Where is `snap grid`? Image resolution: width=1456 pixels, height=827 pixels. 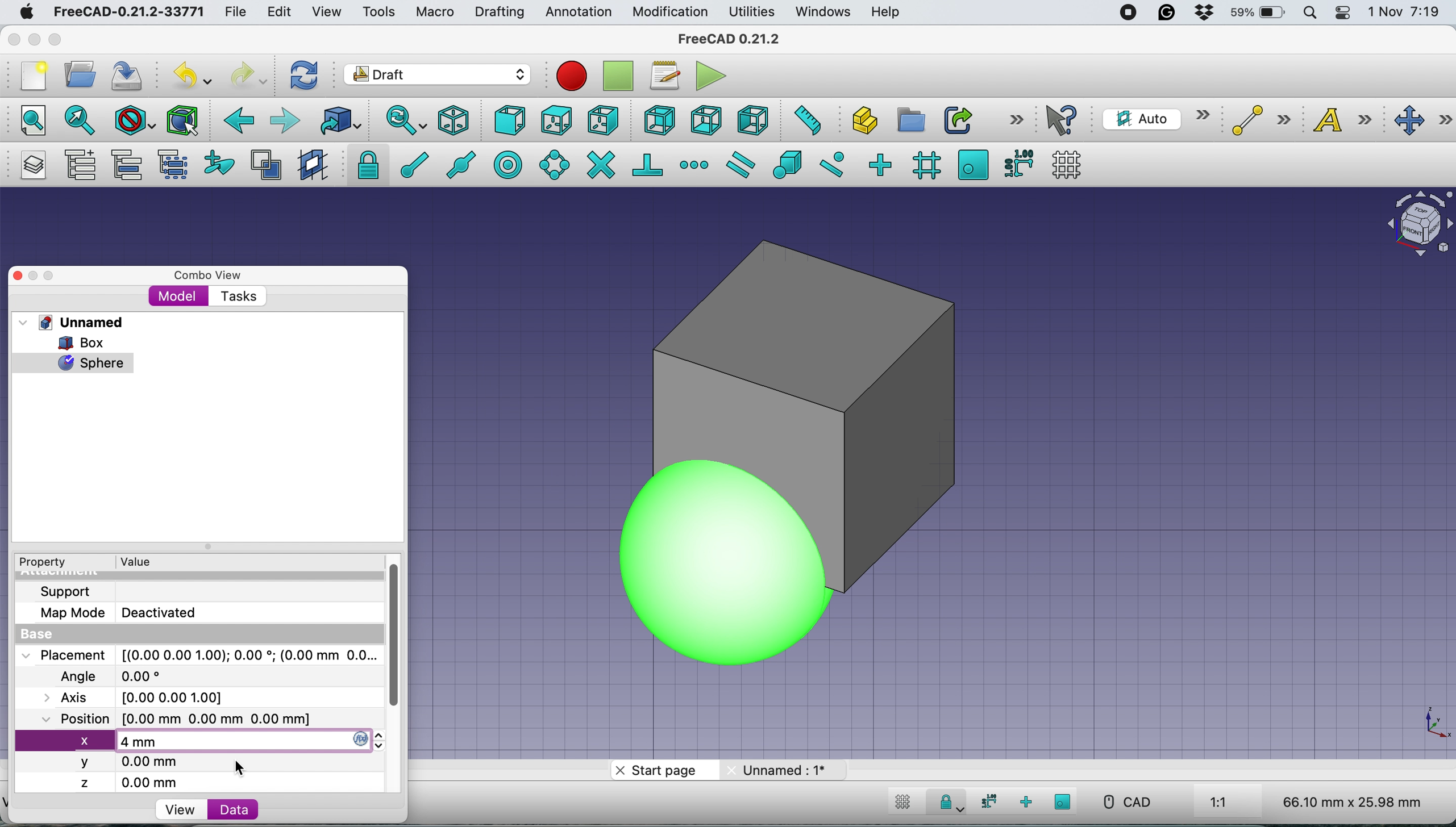 snap grid is located at coordinates (925, 165).